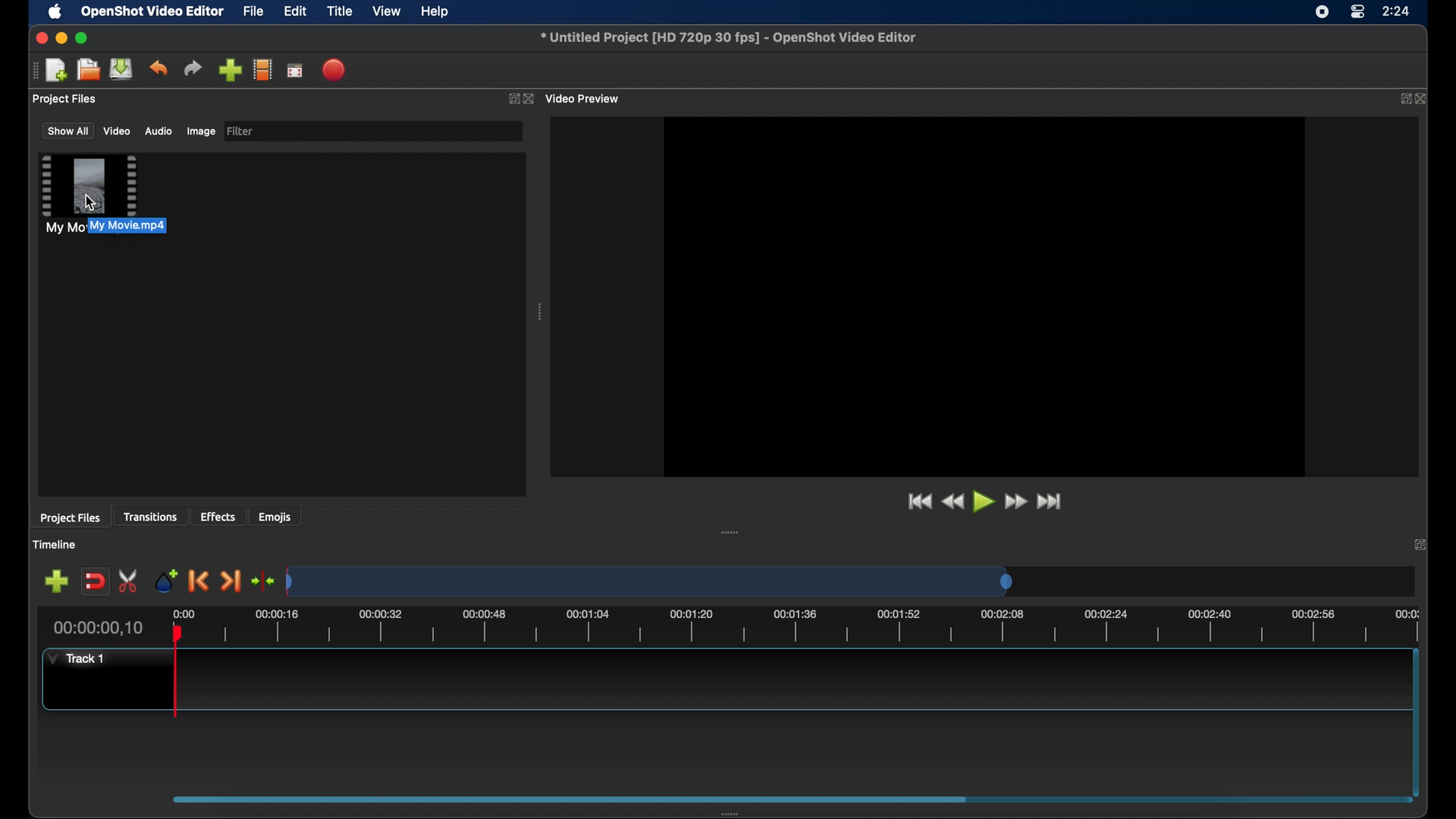  Describe the element at coordinates (437, 11) in the screenshot. I see `help` at that location.